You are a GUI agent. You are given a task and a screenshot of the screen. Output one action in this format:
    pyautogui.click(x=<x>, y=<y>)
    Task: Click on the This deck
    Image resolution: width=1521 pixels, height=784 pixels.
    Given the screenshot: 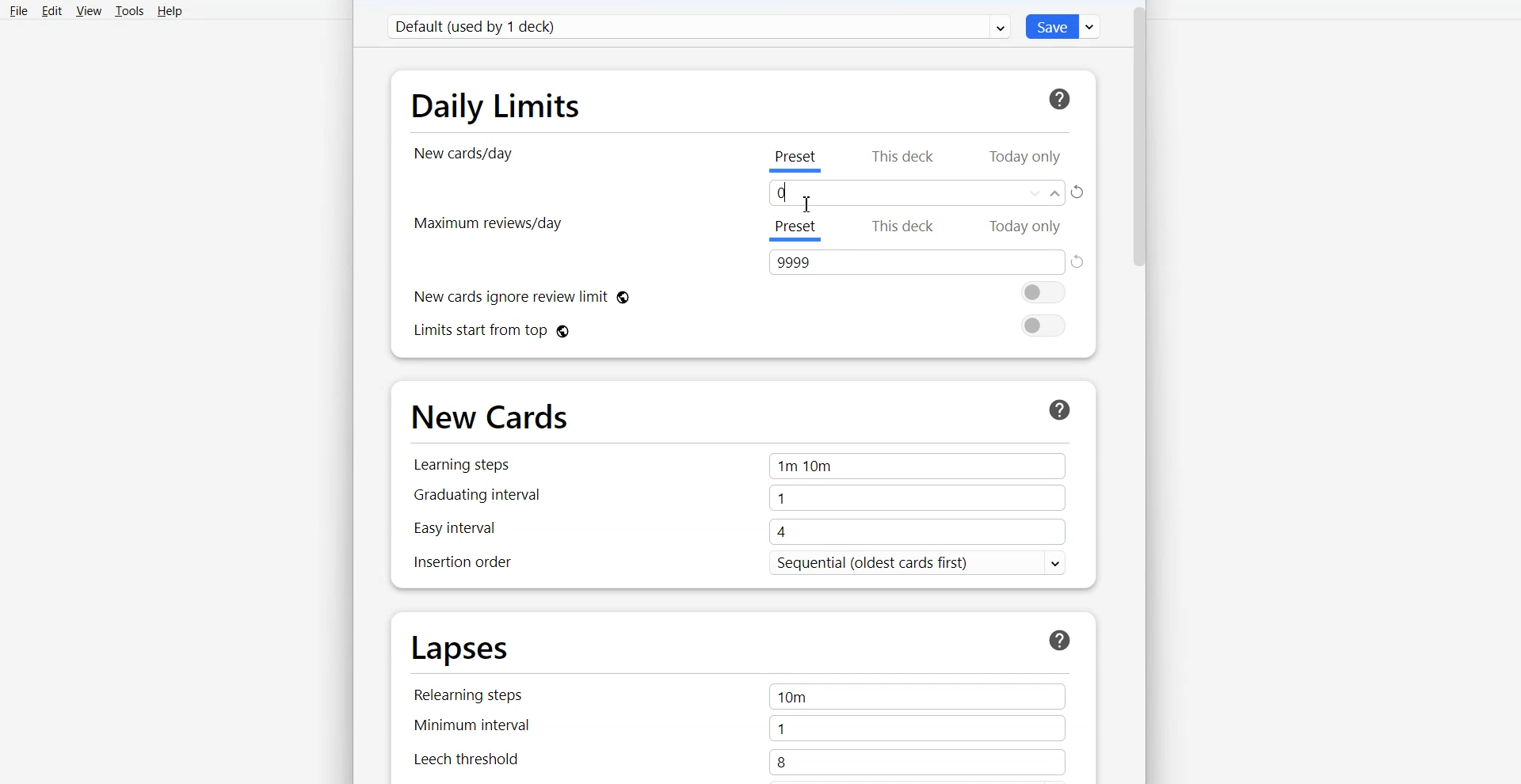 What is the action you would take?
    pyautogui.click(x=909, y=228)
    